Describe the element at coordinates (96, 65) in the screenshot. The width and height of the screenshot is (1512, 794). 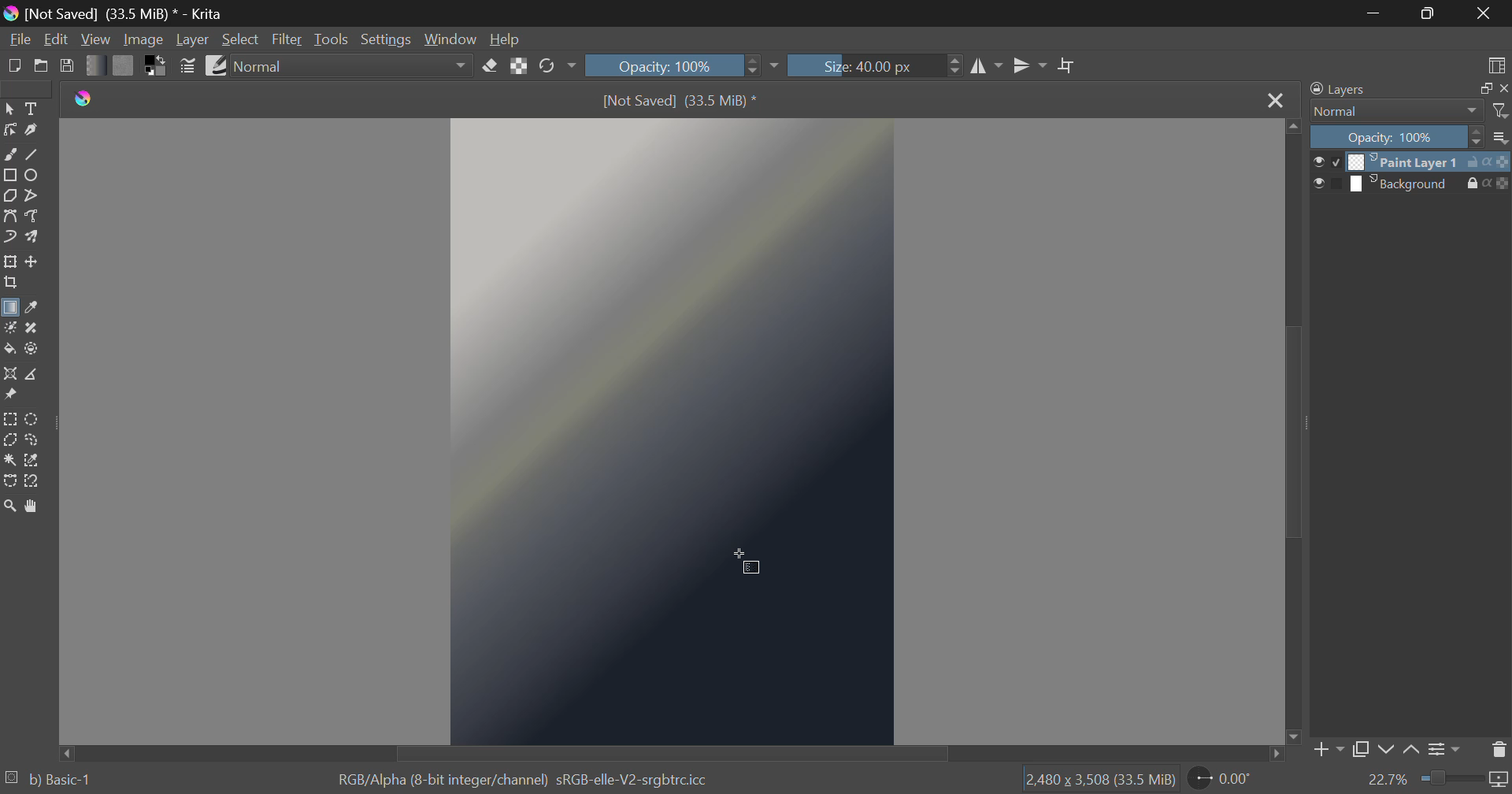
I see `Gradient` at that location.